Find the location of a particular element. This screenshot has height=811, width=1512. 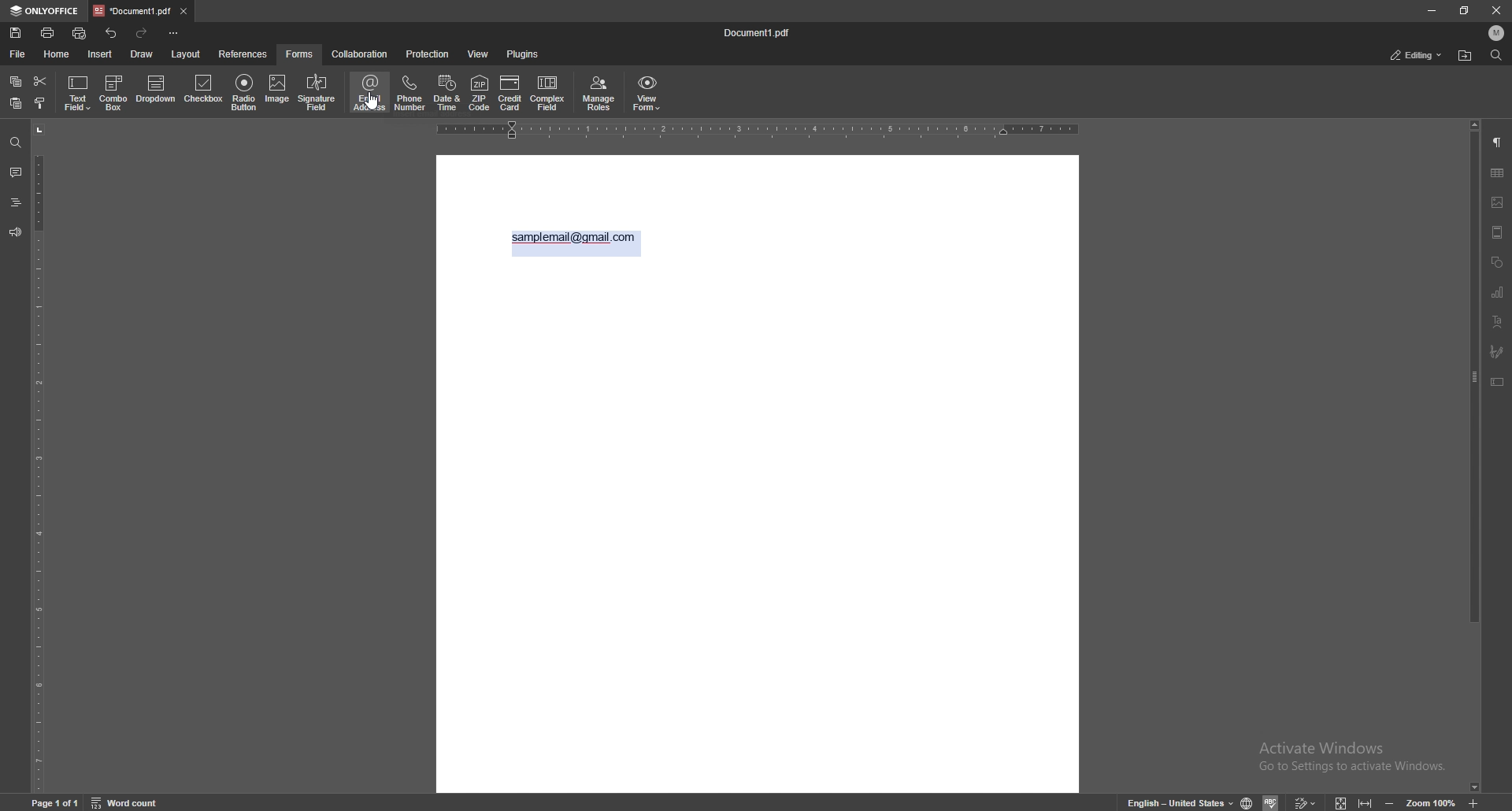

view form is located at coordinates (647, 94).